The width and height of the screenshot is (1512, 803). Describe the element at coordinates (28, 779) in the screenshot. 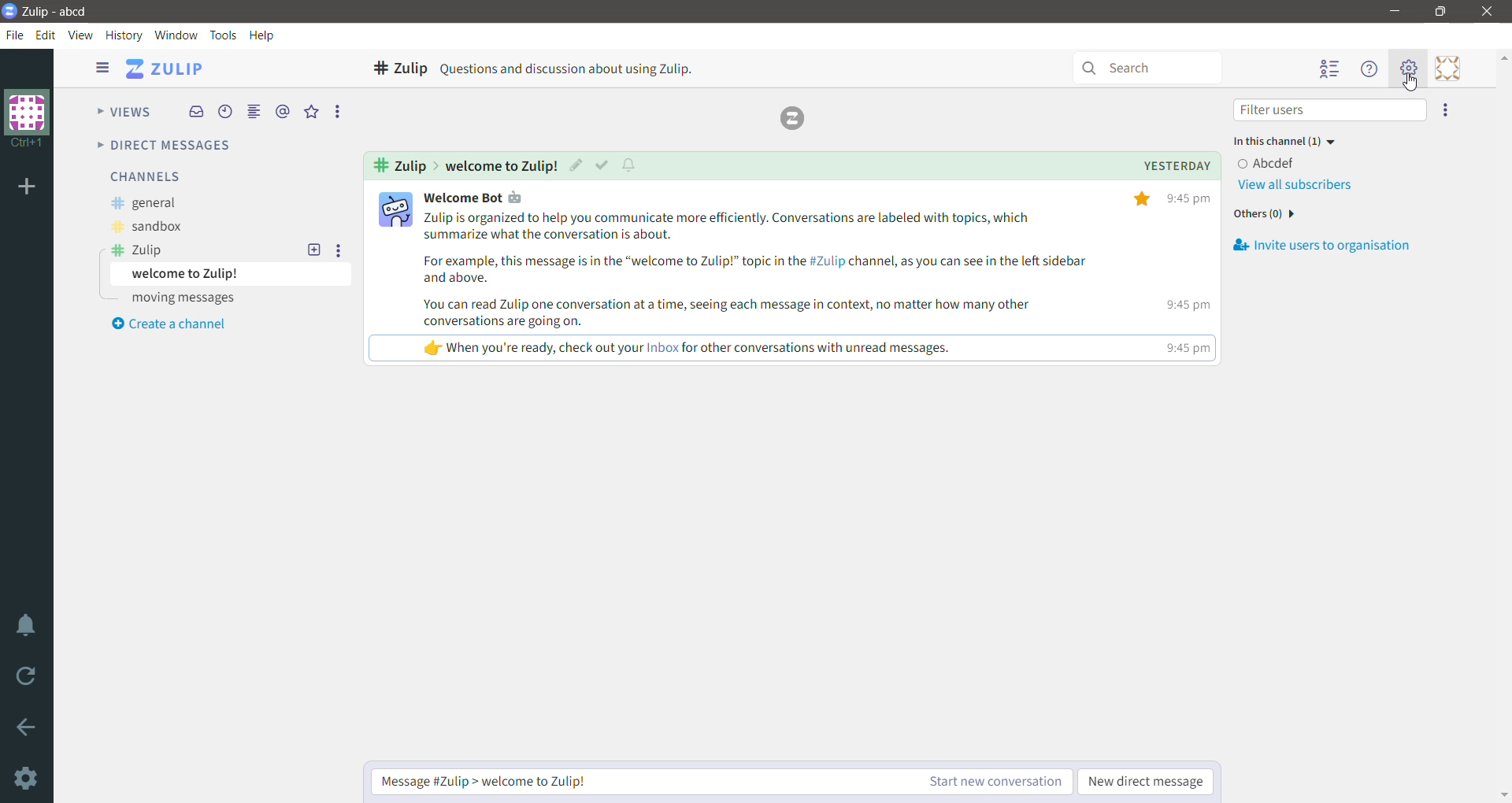

I see `Settings` at that location.